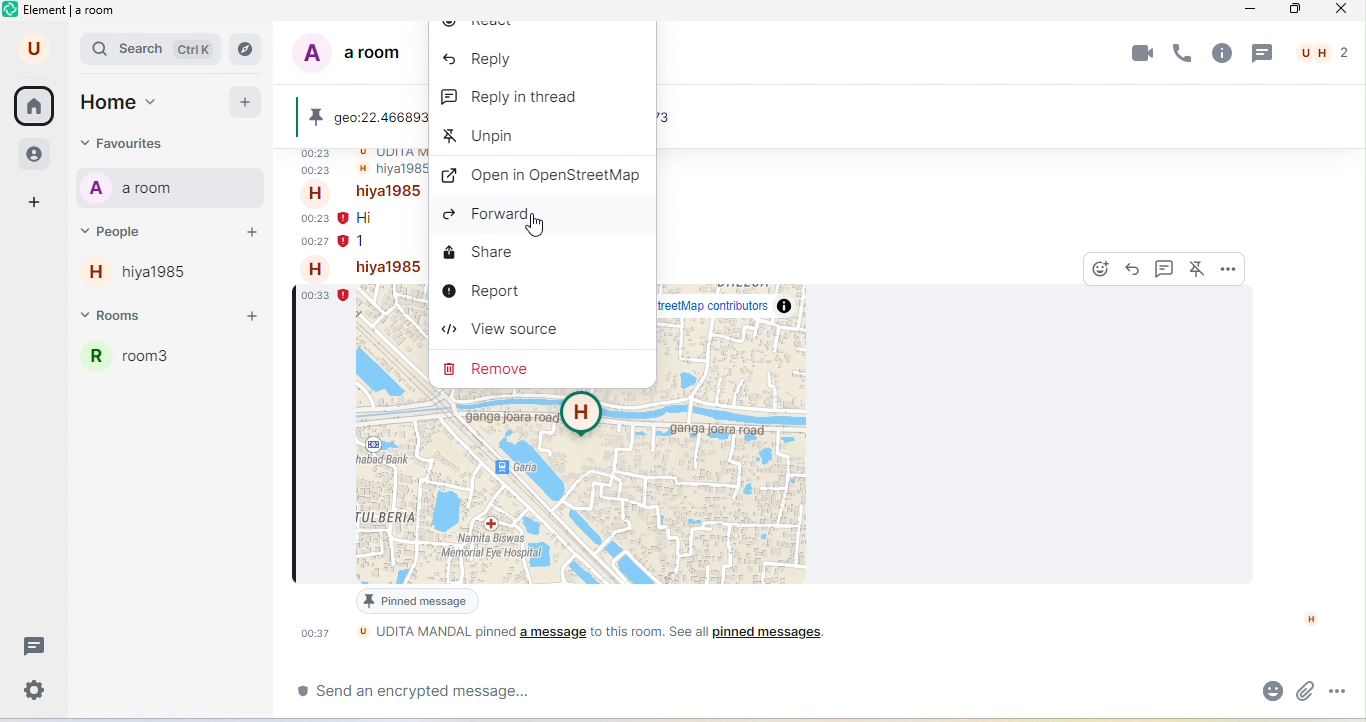 The width and height of the screenshot is (1366, 722). Describe the element at coordinates (359, 57) in the screenshot. I see `a room` at that location.